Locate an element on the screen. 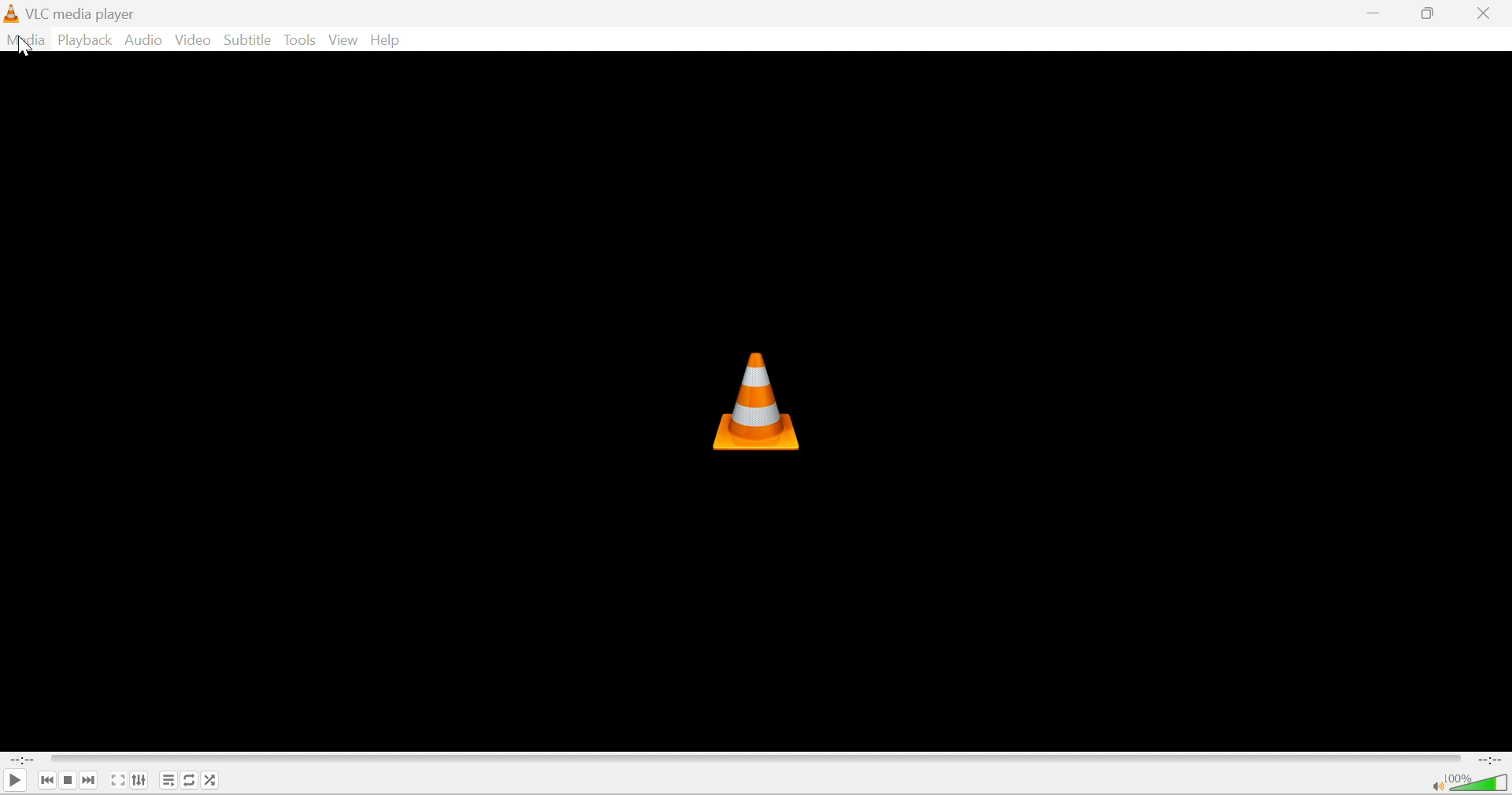 This screenshot has width=1512, height=795. Play is located at coordinates (16, 780).